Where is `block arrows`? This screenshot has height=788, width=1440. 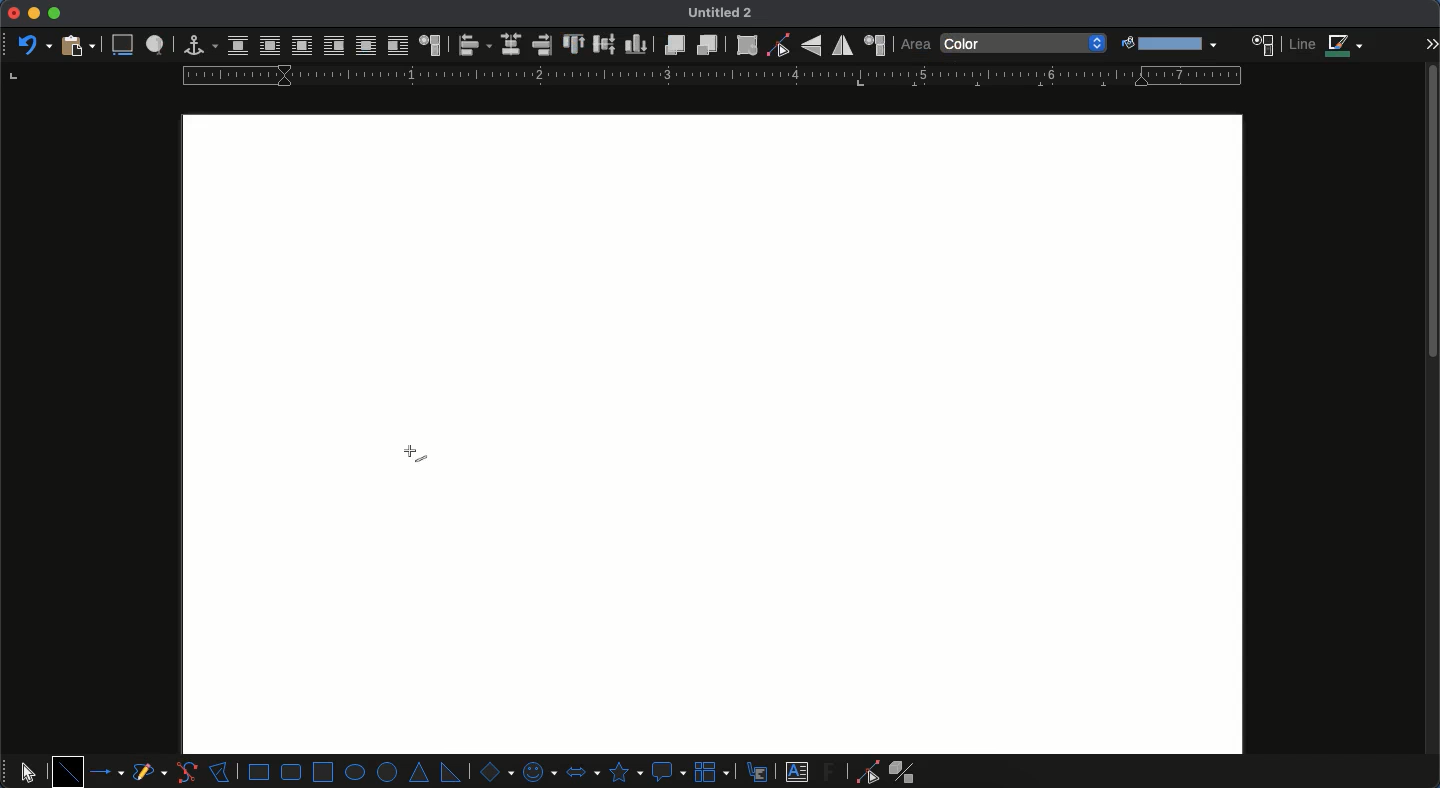 block arrows is located at coordinates (582, 770).